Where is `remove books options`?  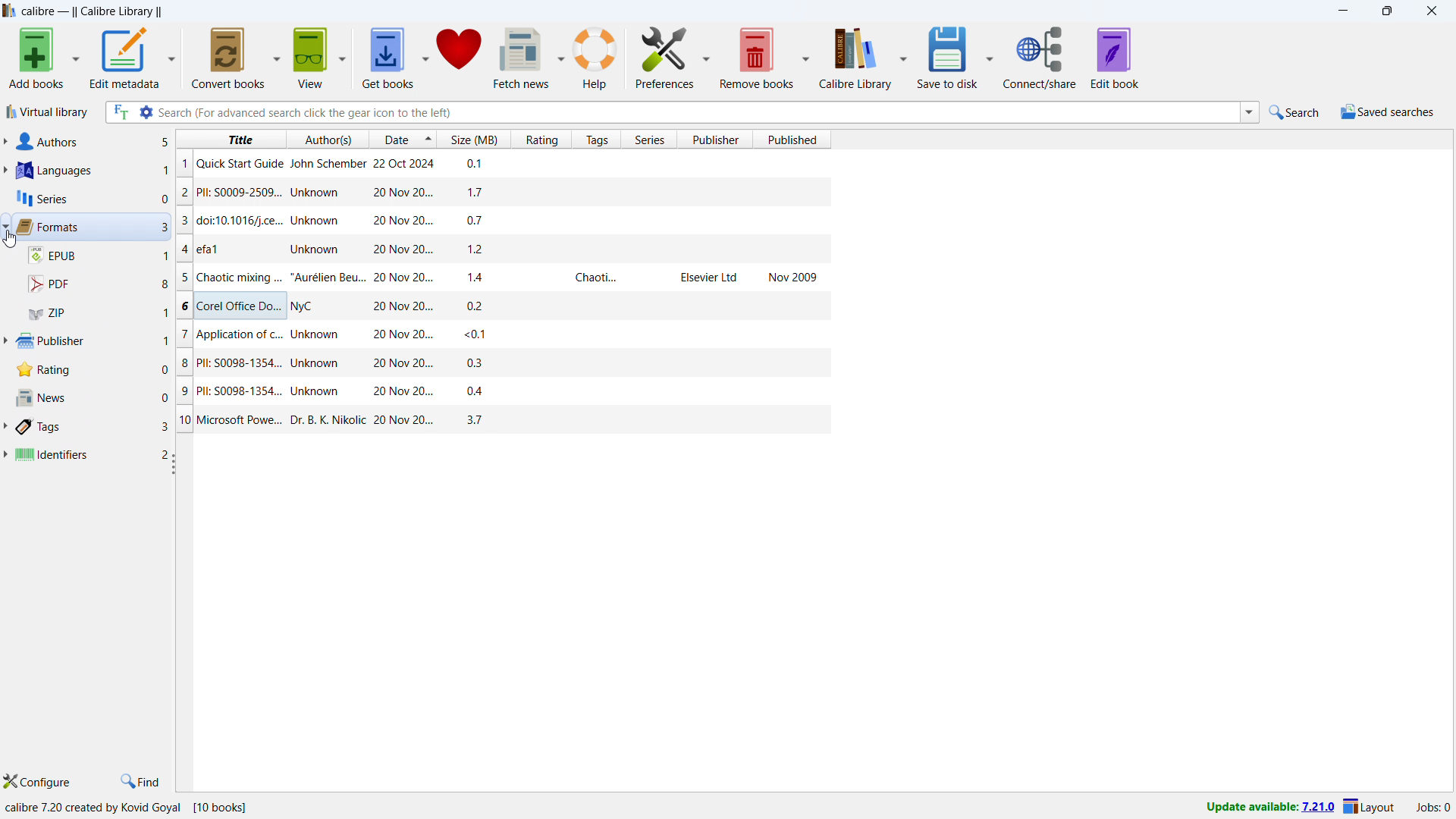
remove books options is located at coordinates (807, 56).